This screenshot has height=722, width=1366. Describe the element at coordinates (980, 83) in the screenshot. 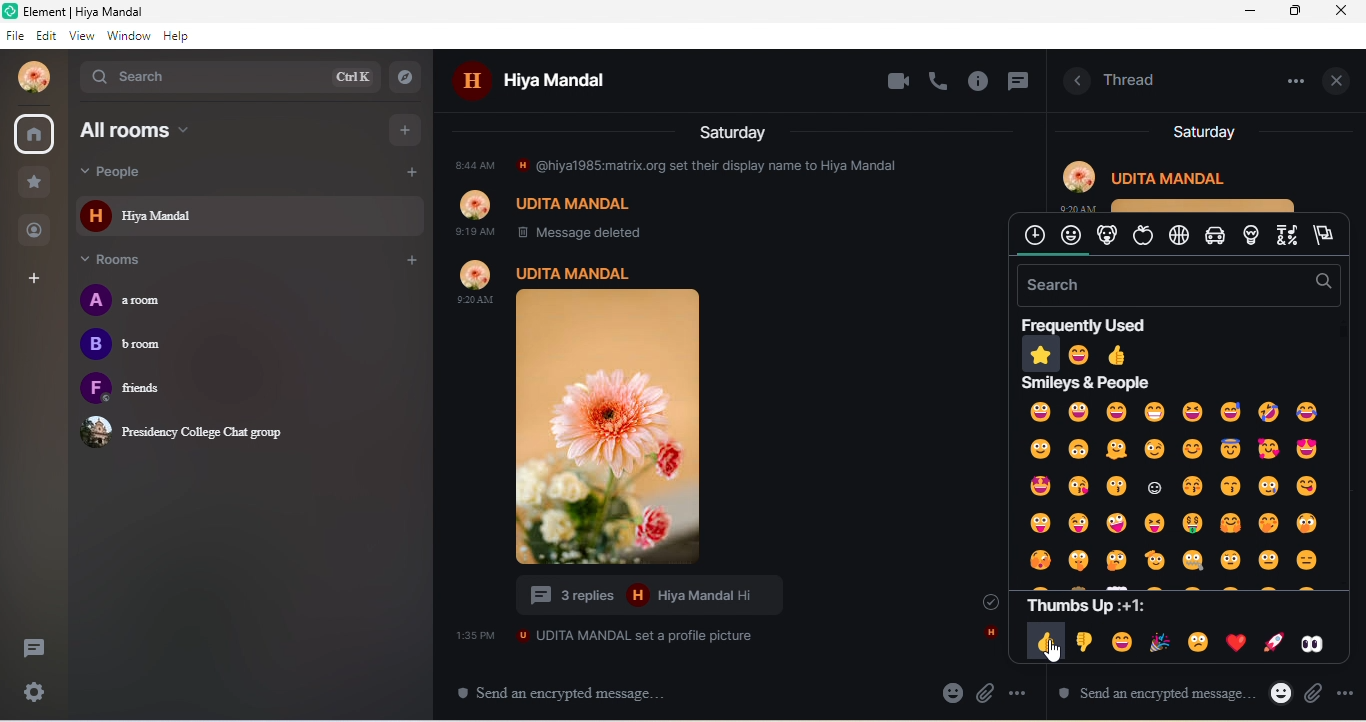

I see `info` at that location.